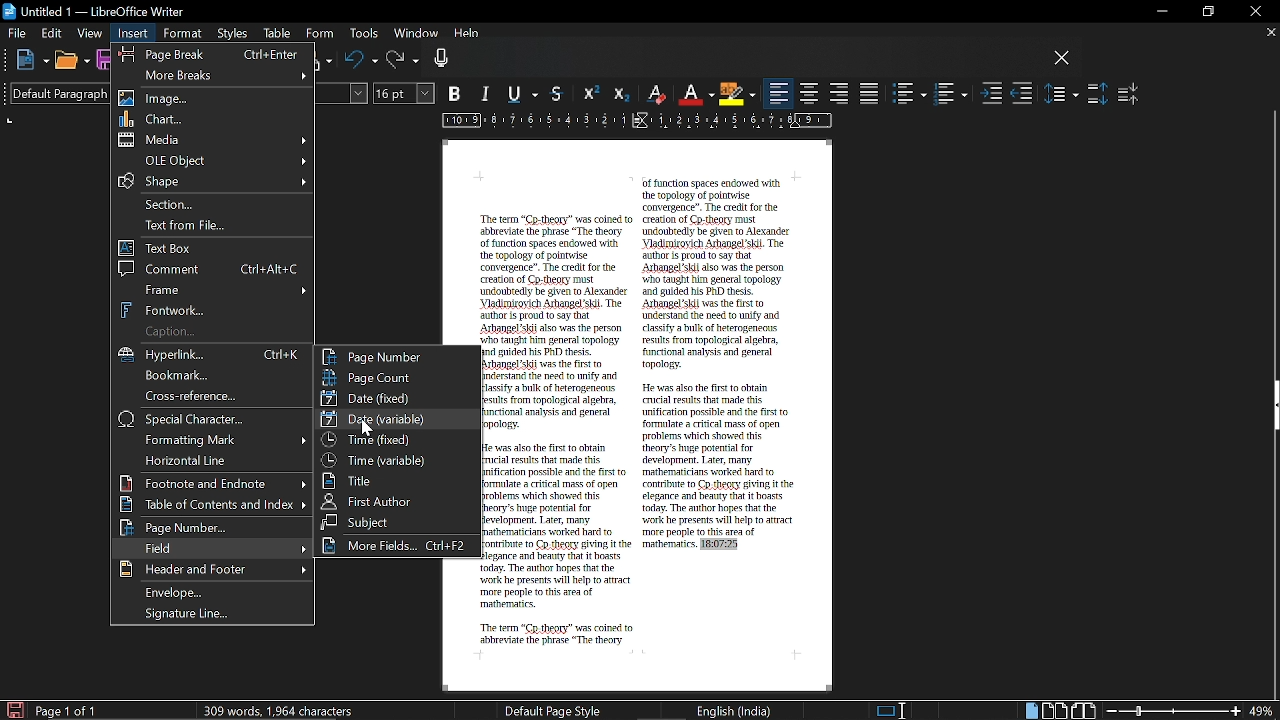 The width and height of the screenshot is (1280, 720). I want to click on Align left, so click(779, 94).